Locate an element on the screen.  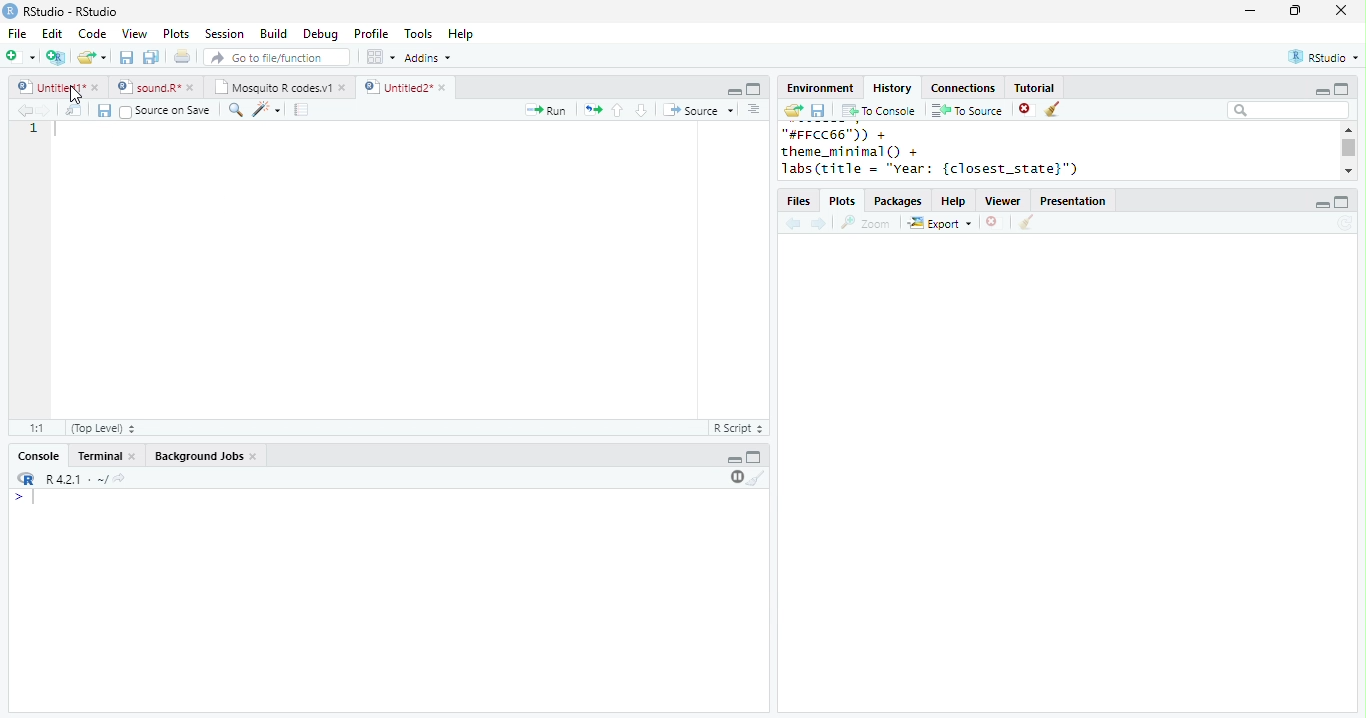
Session is located at coordinates (224, 34).